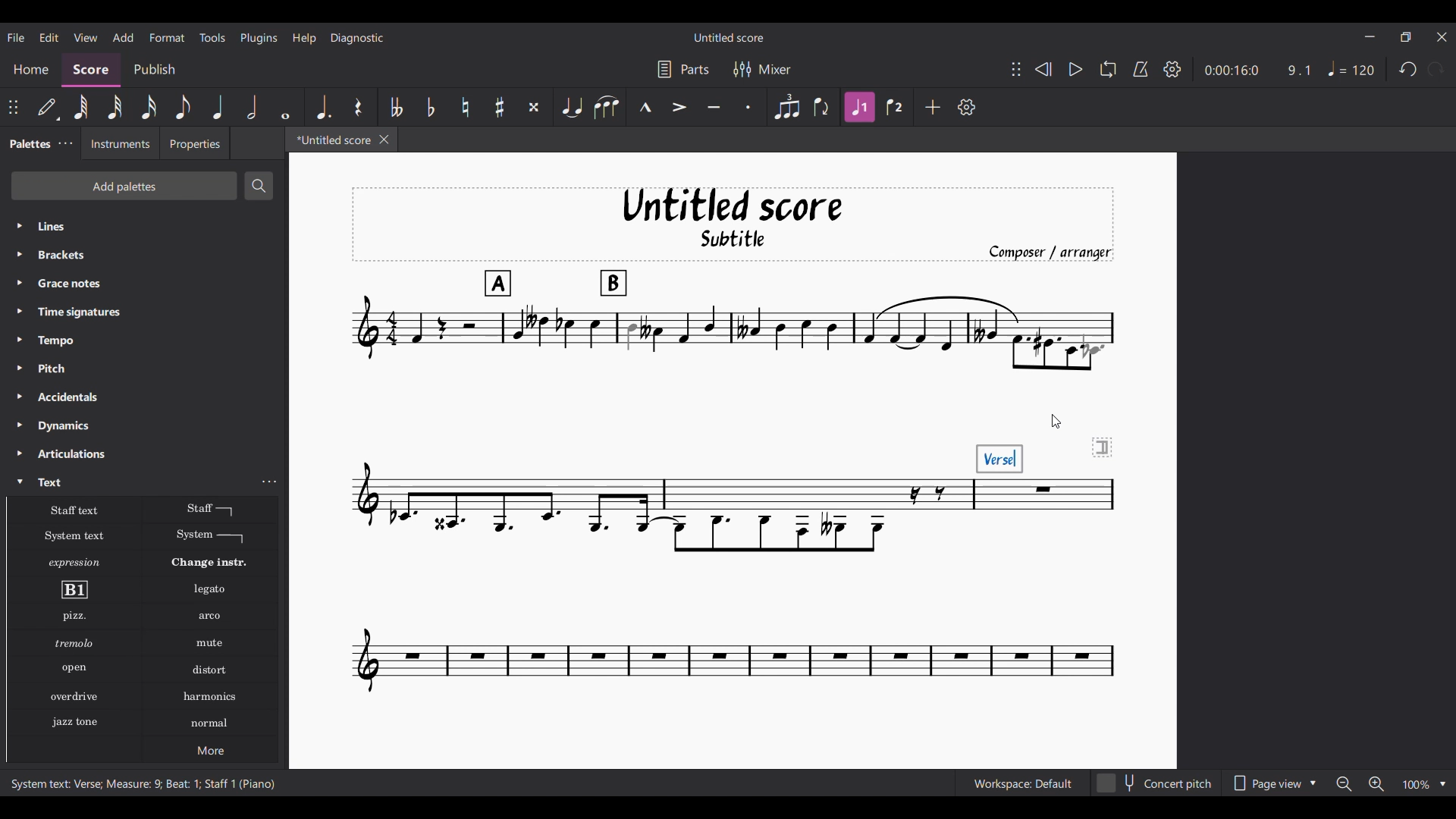 The width and height of the screenshot is (1456, 819). I want to click on Minimize, so click(1370, 36).